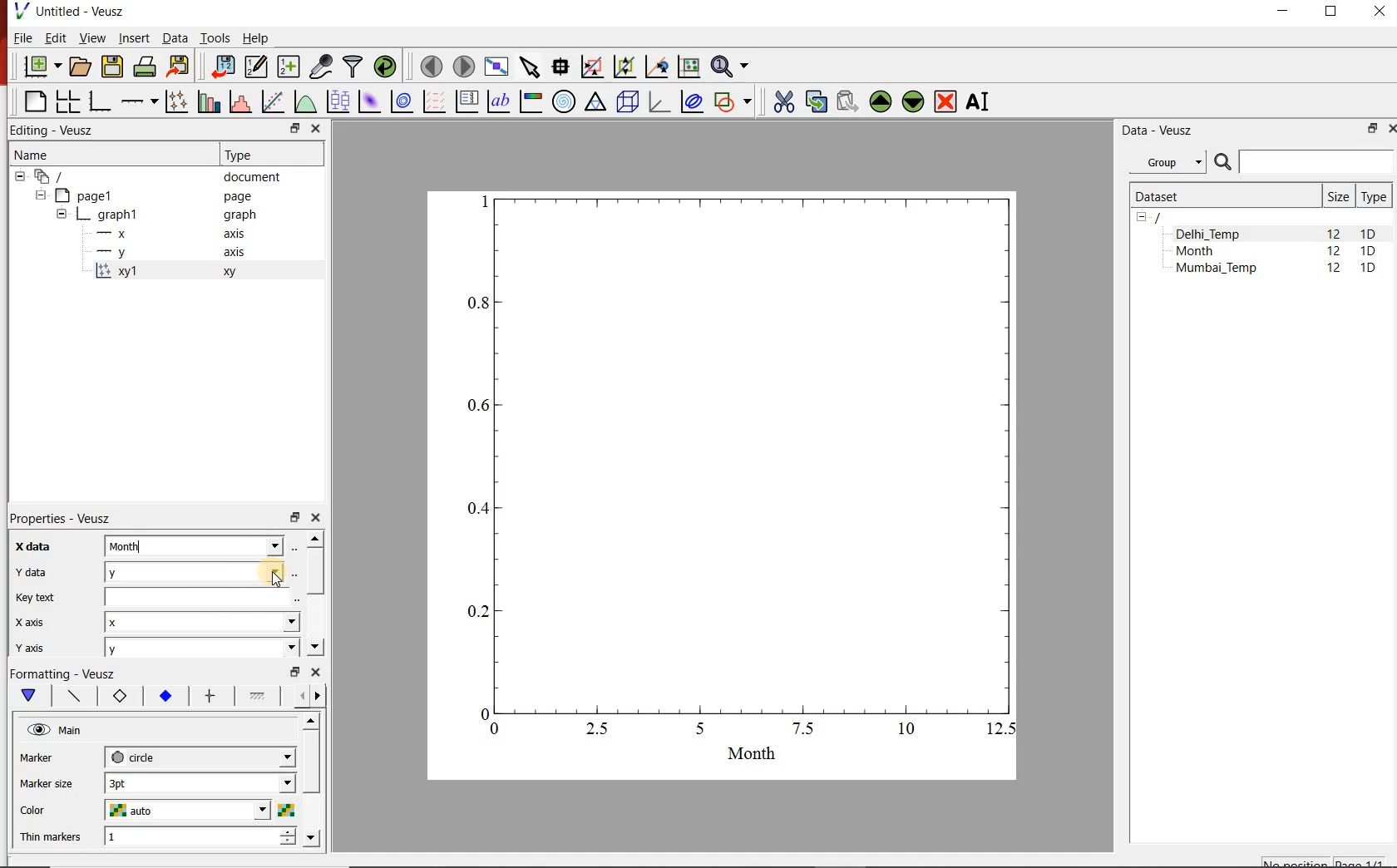  I want to click on Tick labels, so click(164, 693).